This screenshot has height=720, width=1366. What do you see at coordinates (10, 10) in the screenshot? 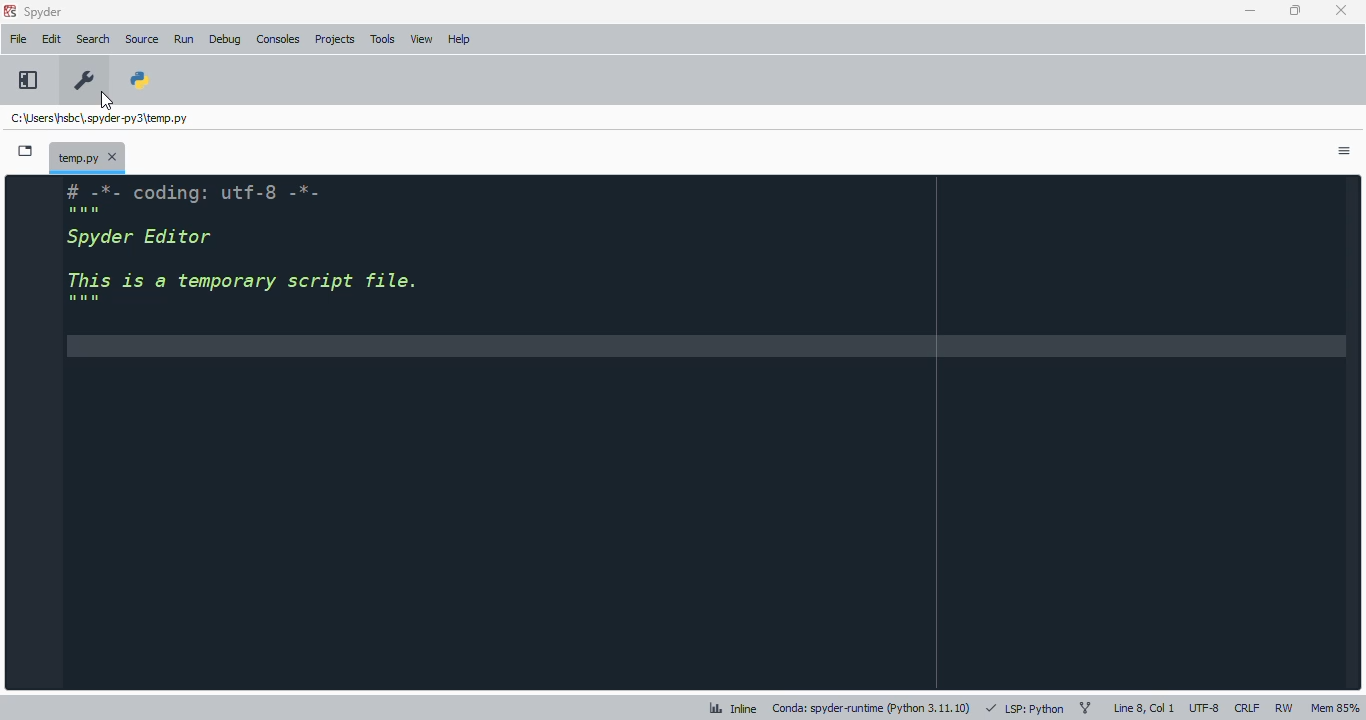
I see `logo` at bounding box center [10, 10].